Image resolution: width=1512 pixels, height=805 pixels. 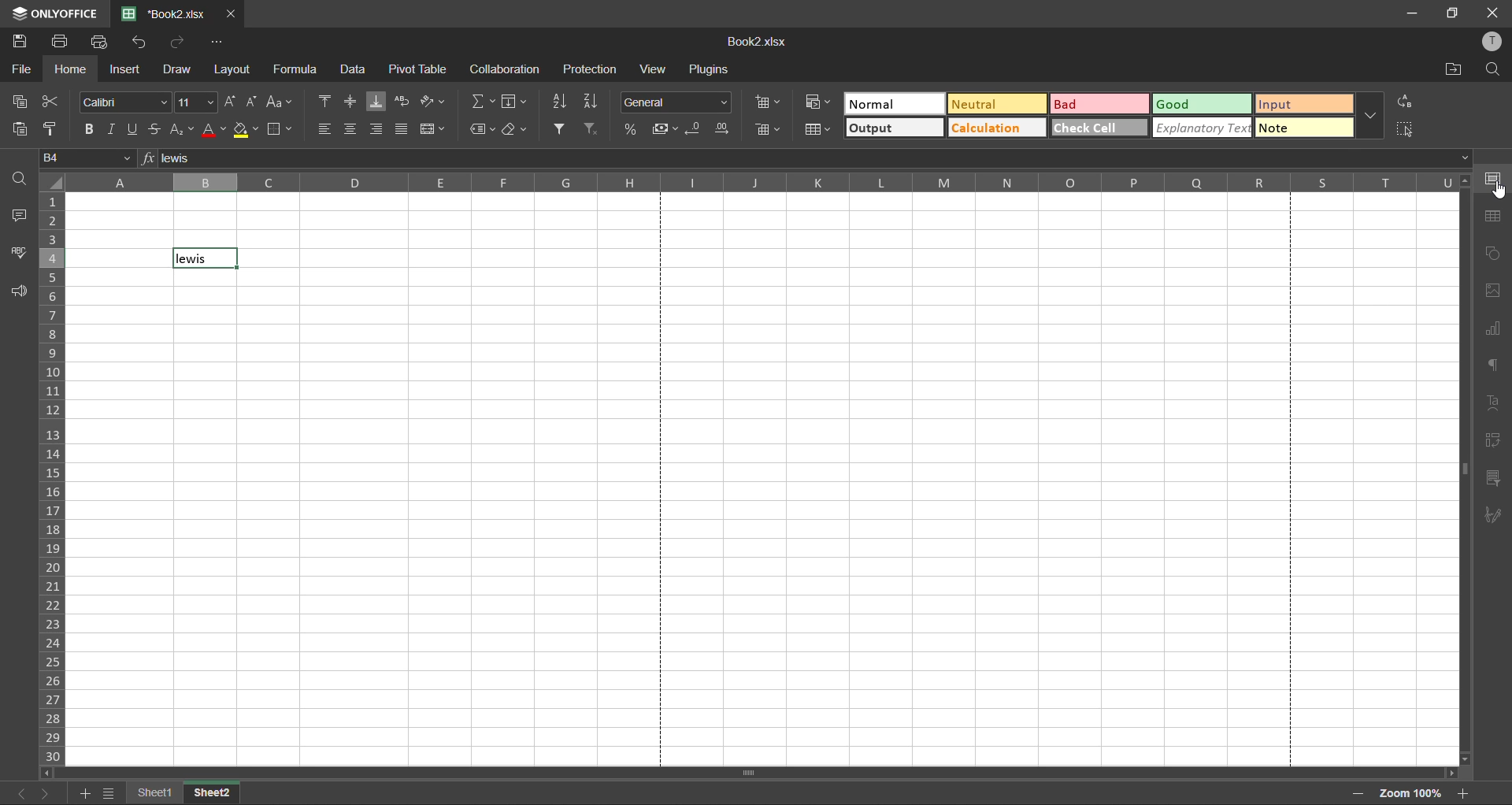 I want to click on previous, so click(x=20, y=793).